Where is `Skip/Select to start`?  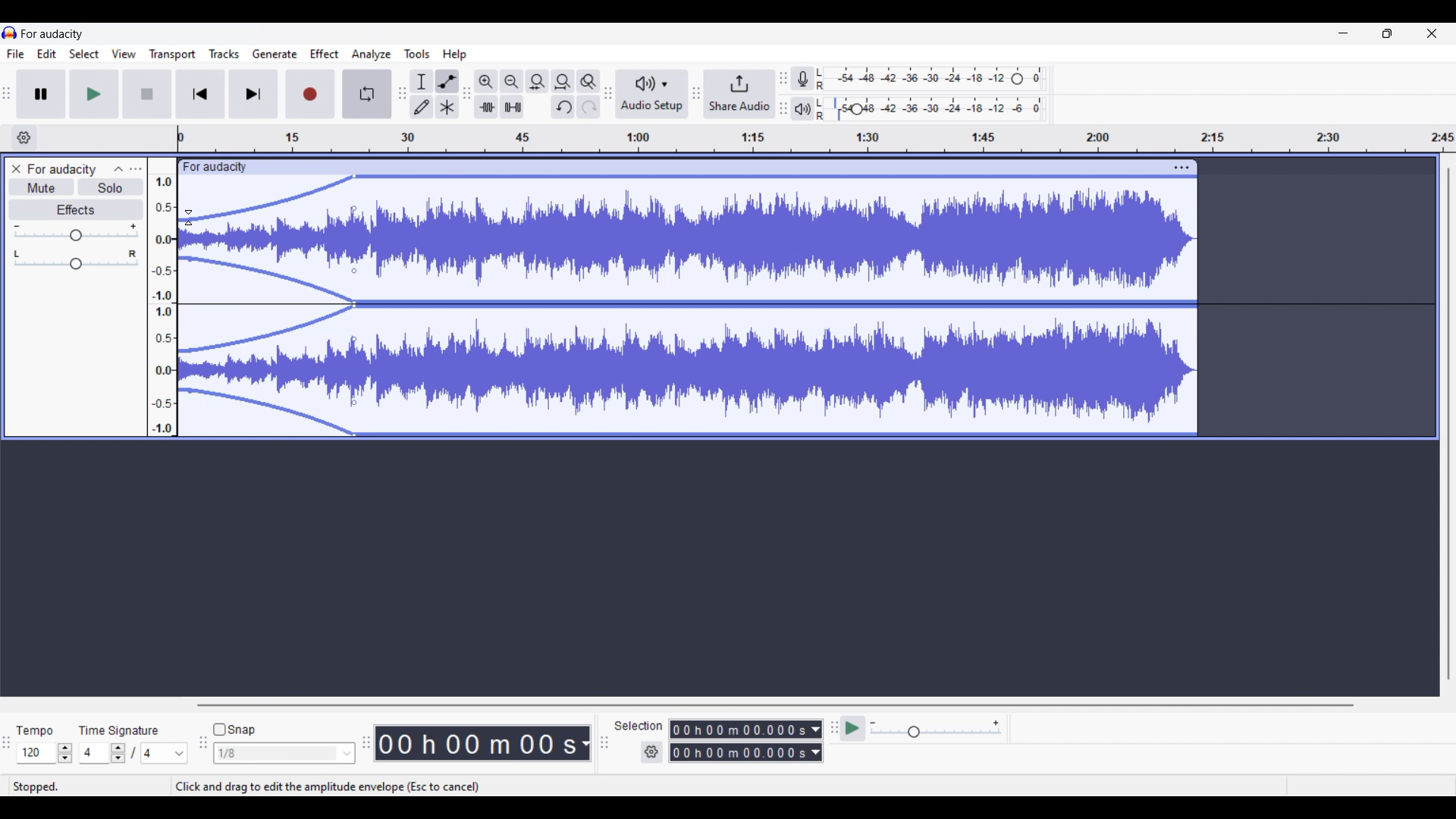
Skip/Select to start is located at coordinates (200, 93).